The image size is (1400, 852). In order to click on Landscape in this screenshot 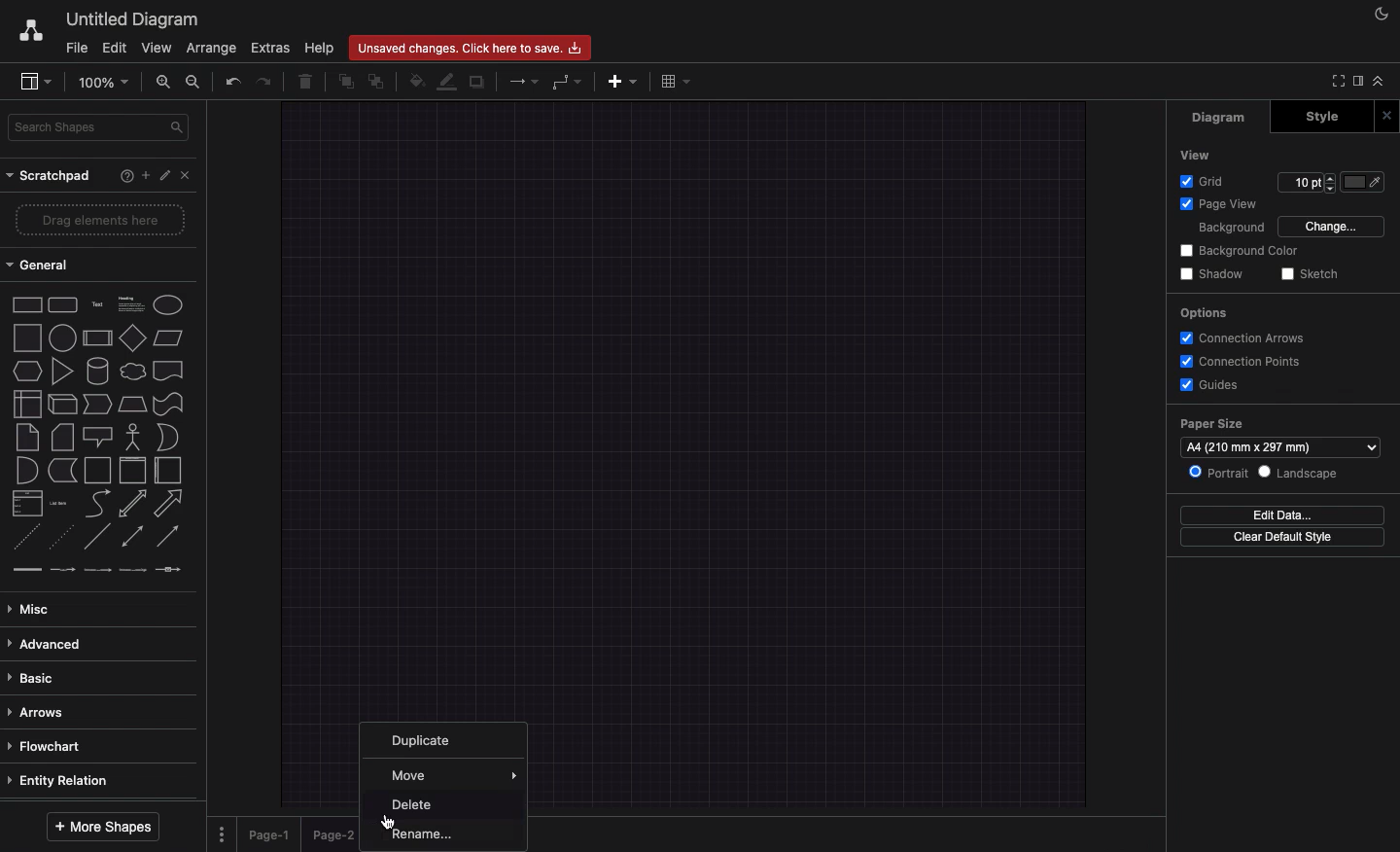, I will do `click(1304, 473)`.